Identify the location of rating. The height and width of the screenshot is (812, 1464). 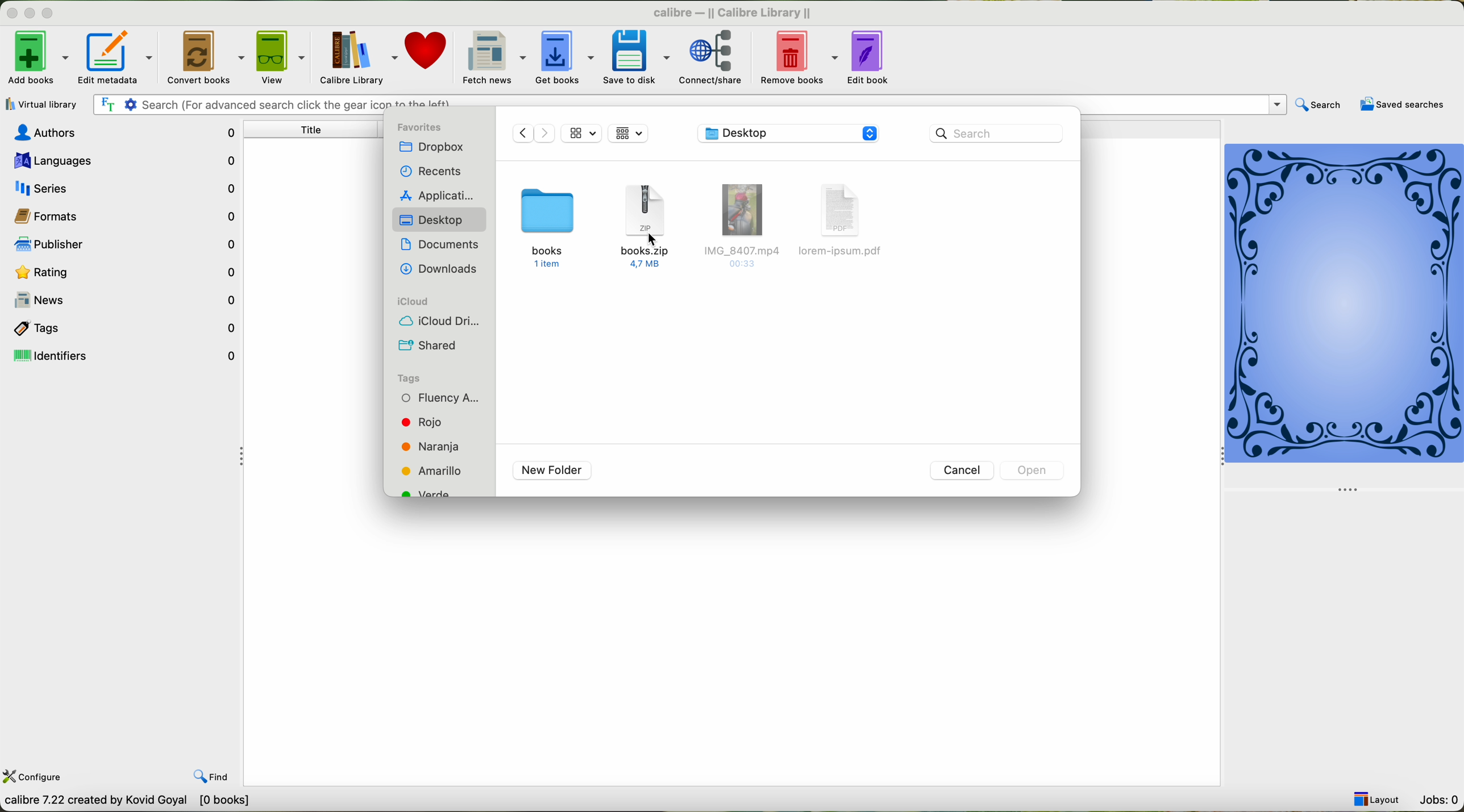
(123, 272).